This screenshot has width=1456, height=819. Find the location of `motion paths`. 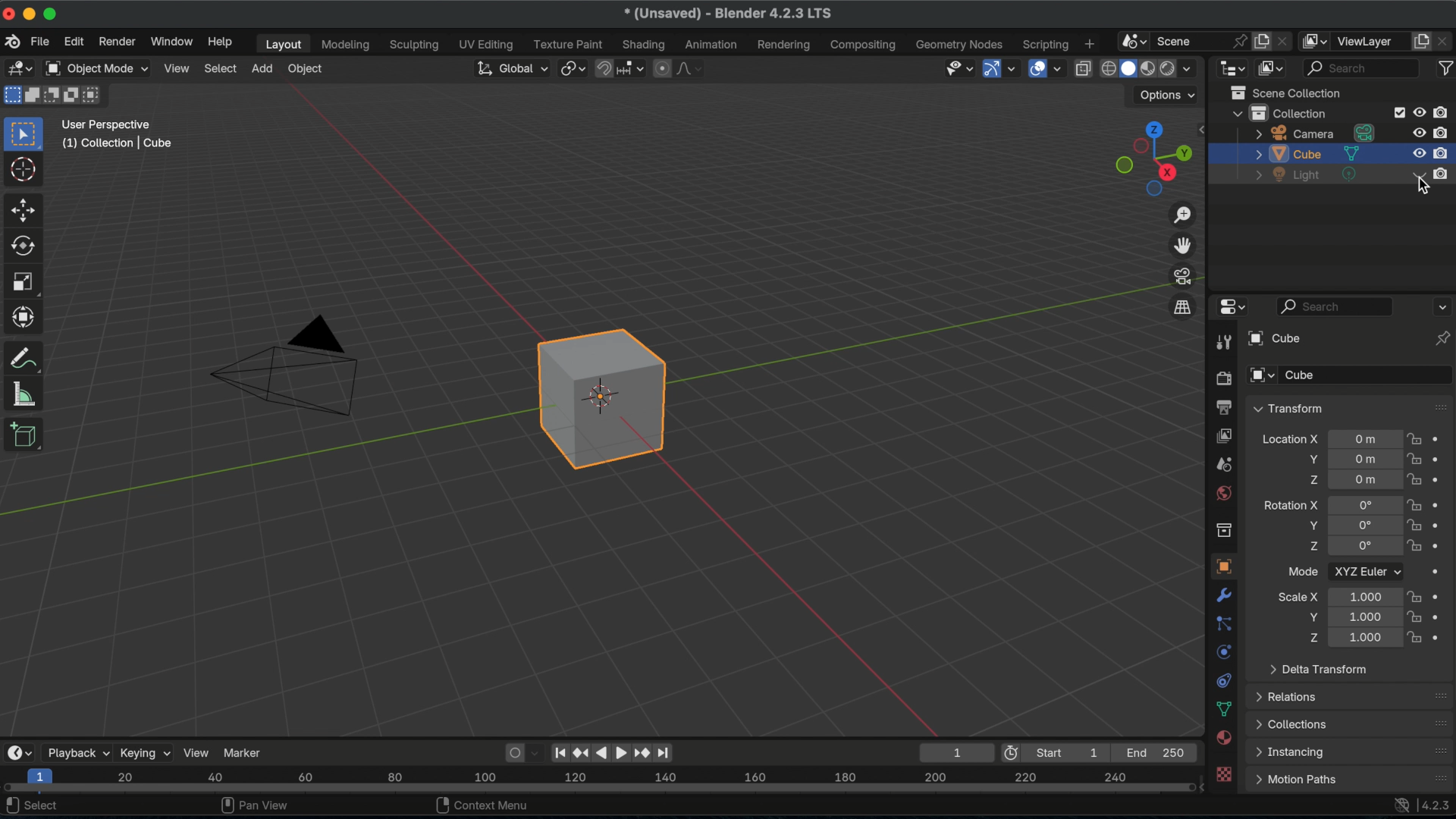

motion paths is located at coordinates (1295, 780).